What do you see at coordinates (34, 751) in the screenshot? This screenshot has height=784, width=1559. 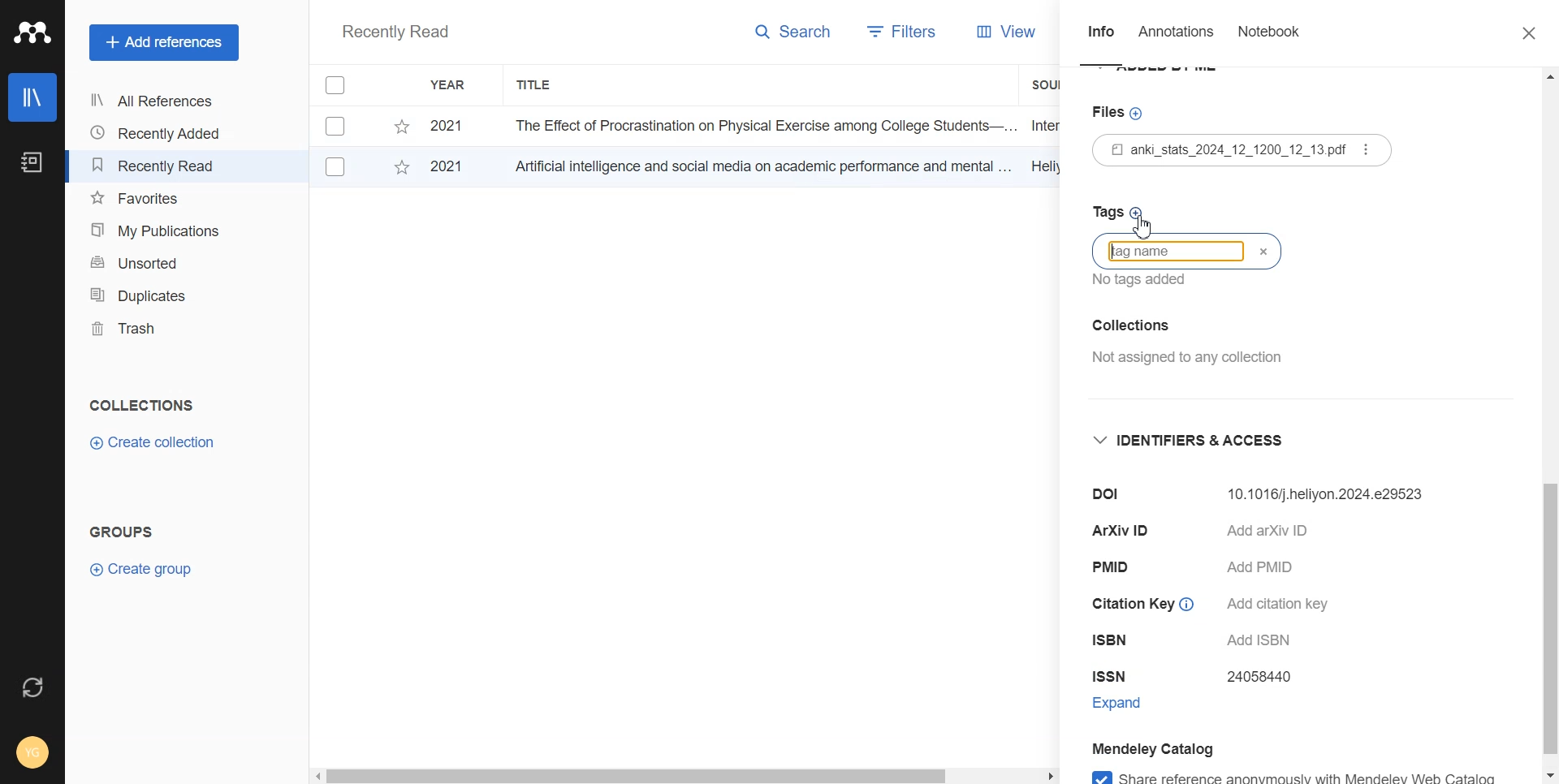 I see `Account` at bounding box center [34, 751].